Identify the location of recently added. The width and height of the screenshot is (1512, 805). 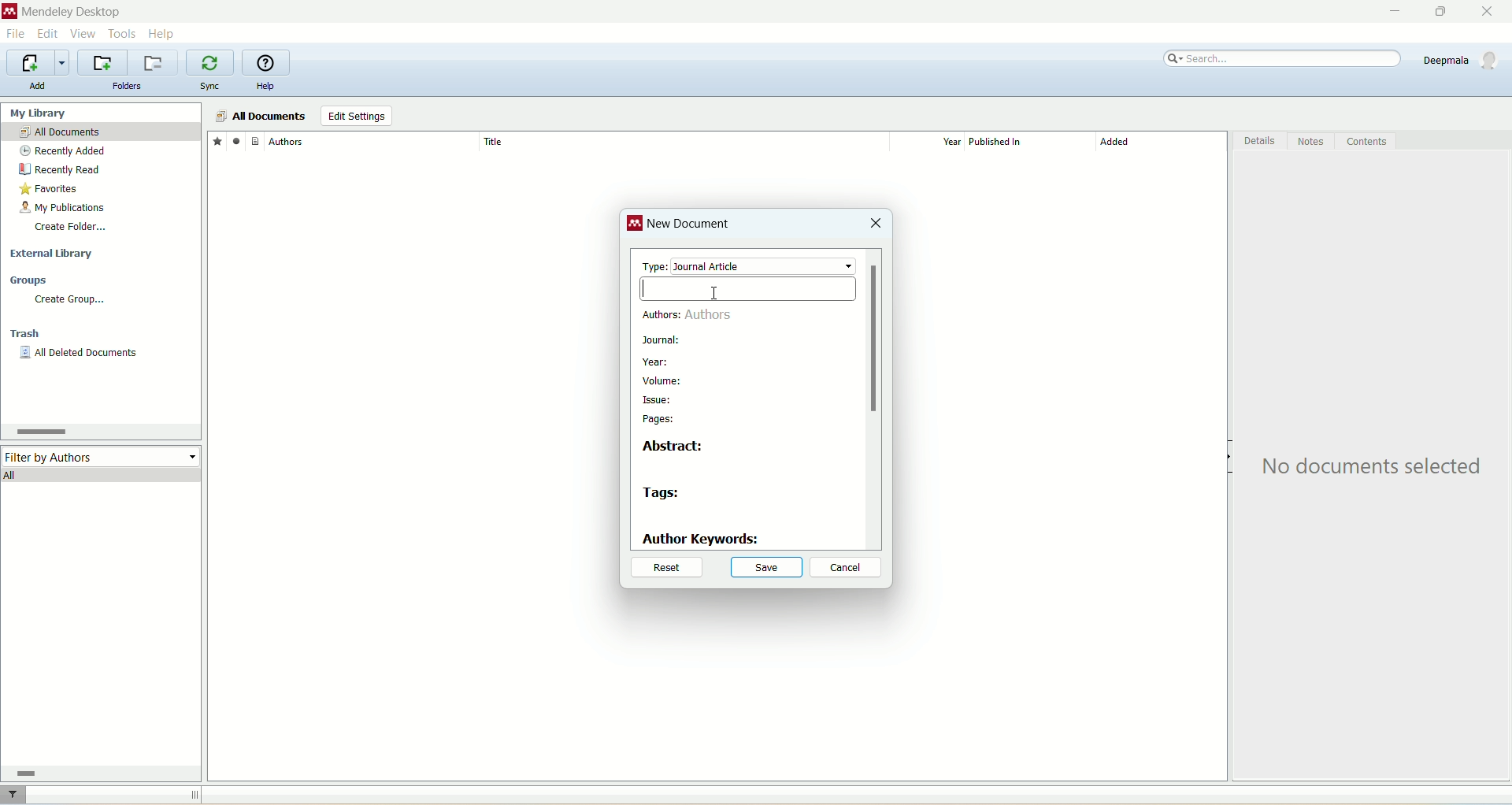
(63, 151).